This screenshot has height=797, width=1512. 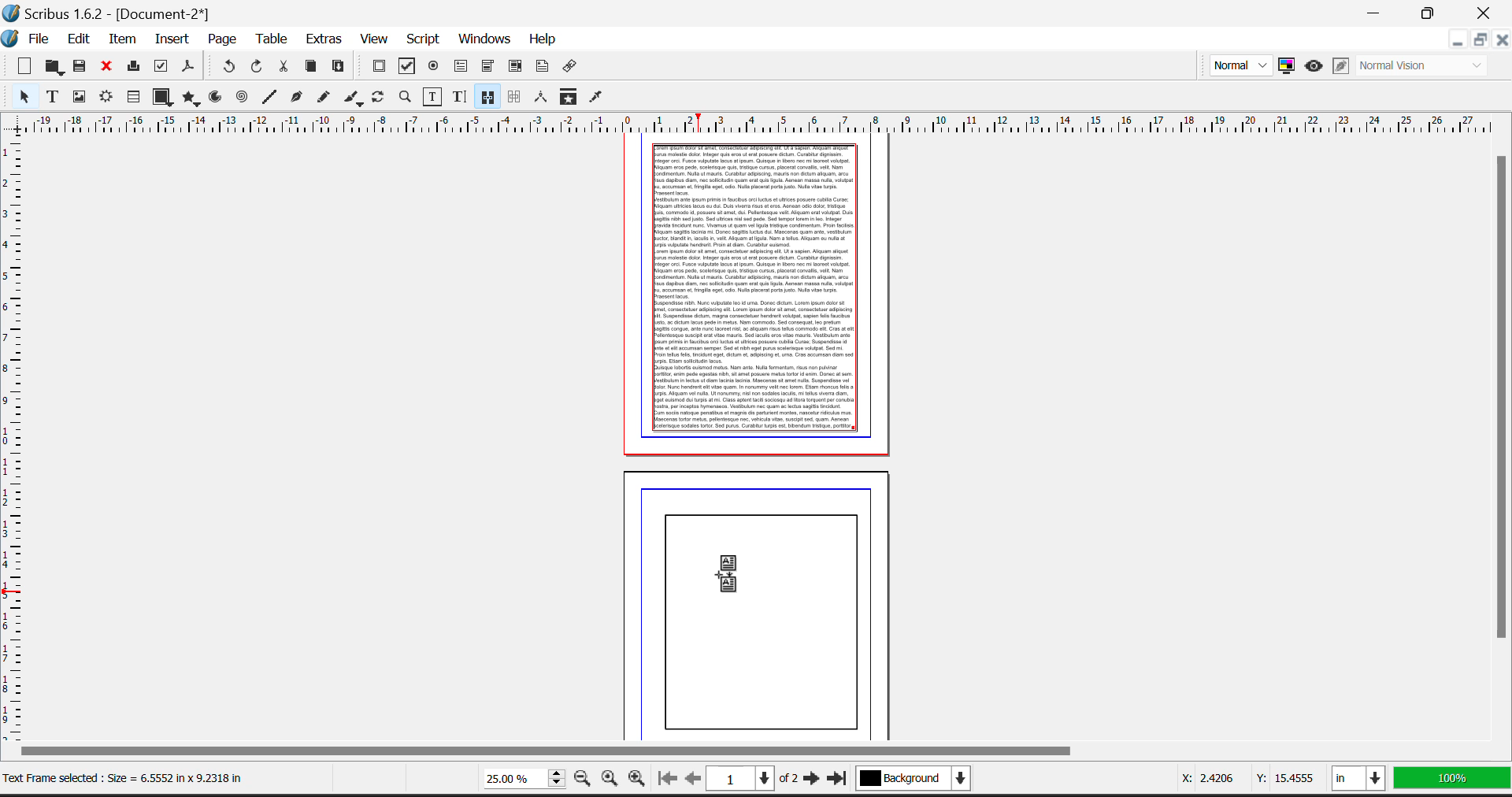 What do you see at coordinates (54, 67) in the screenshot?
I see `Open` at bounding box center [54, 67].